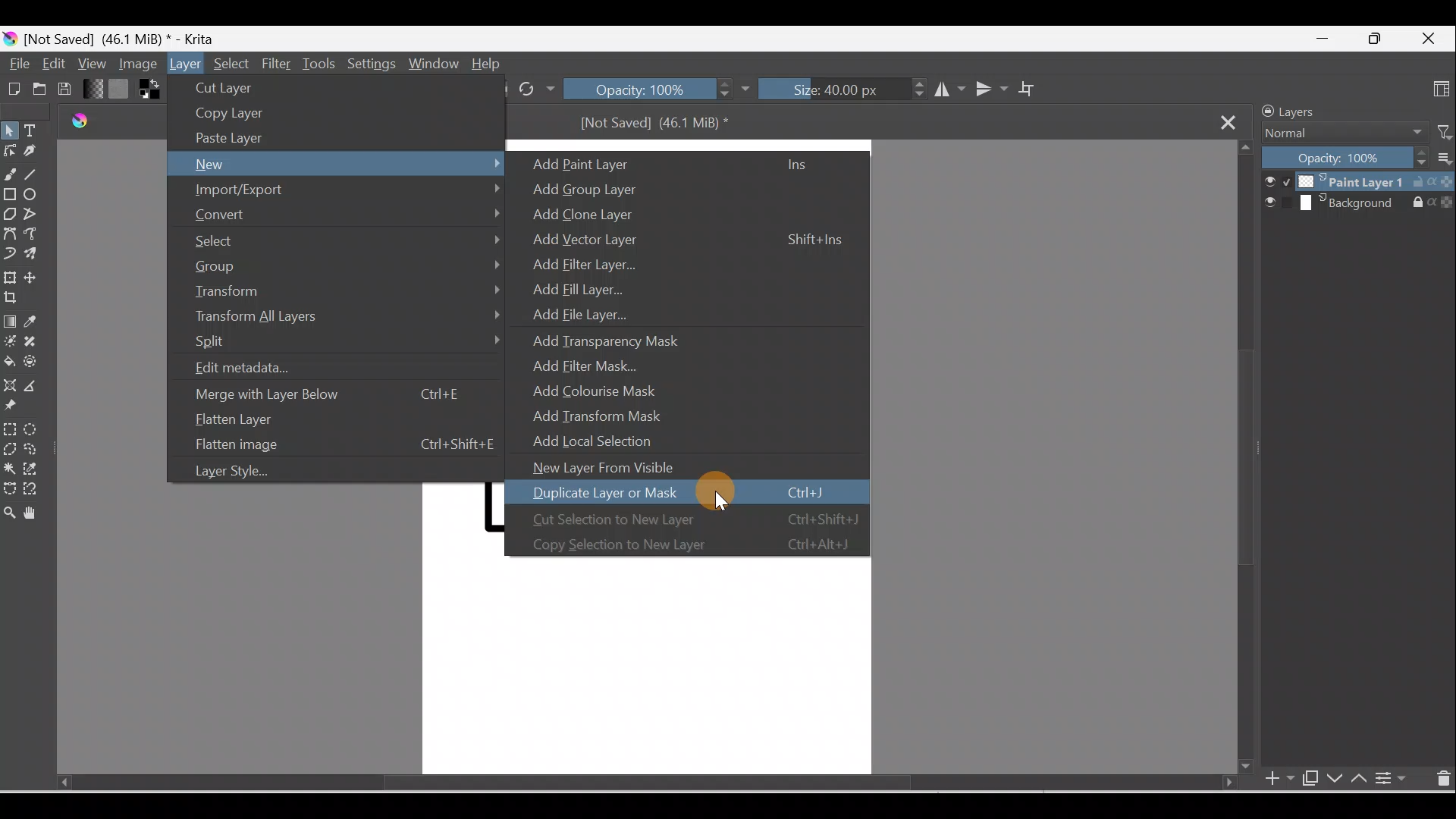 This screenshot has width=1456, height=819. I want to click on Opacity: 100%, so click(657, 90).